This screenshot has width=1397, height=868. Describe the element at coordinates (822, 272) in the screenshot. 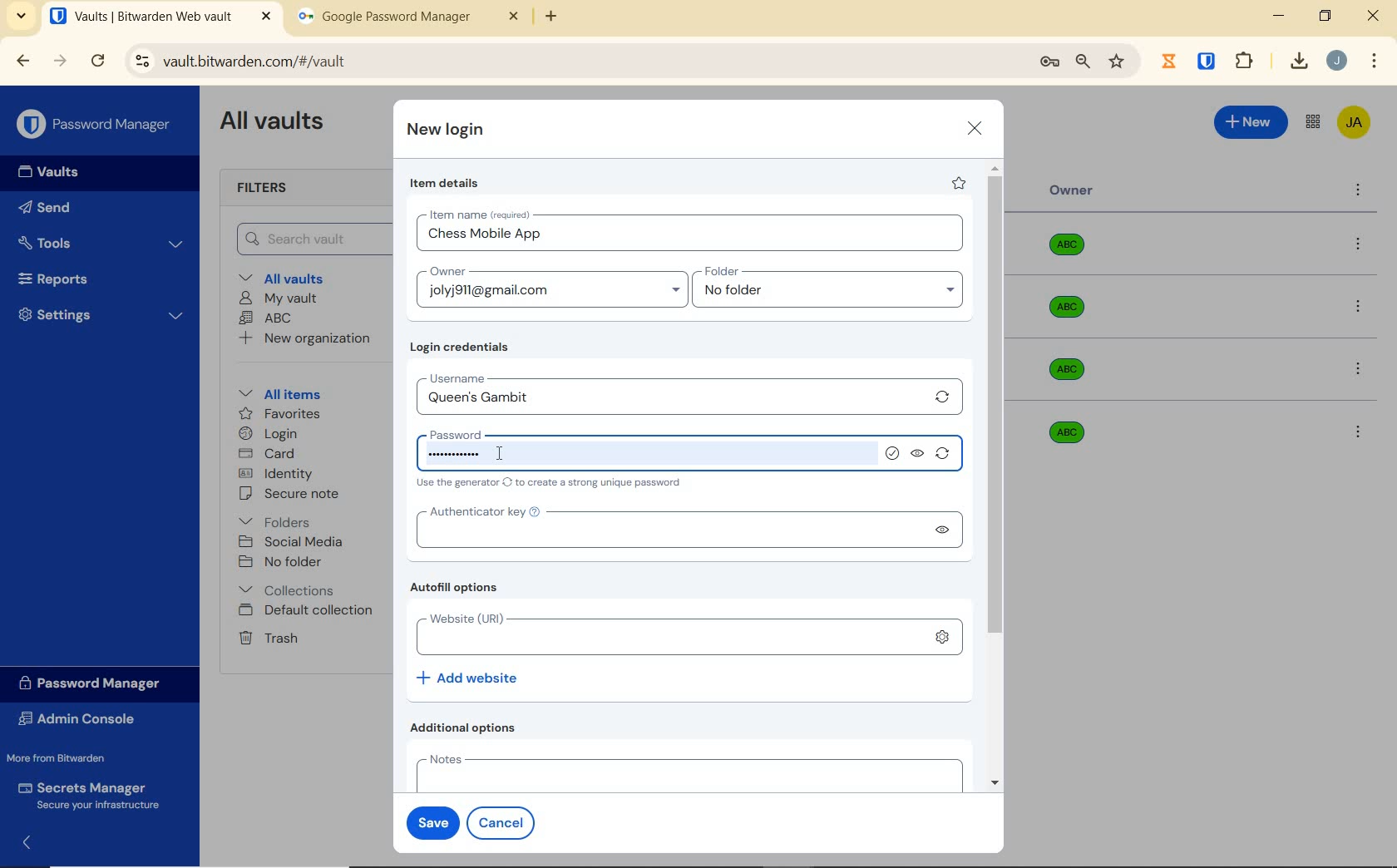

I see `Folder` at that location.